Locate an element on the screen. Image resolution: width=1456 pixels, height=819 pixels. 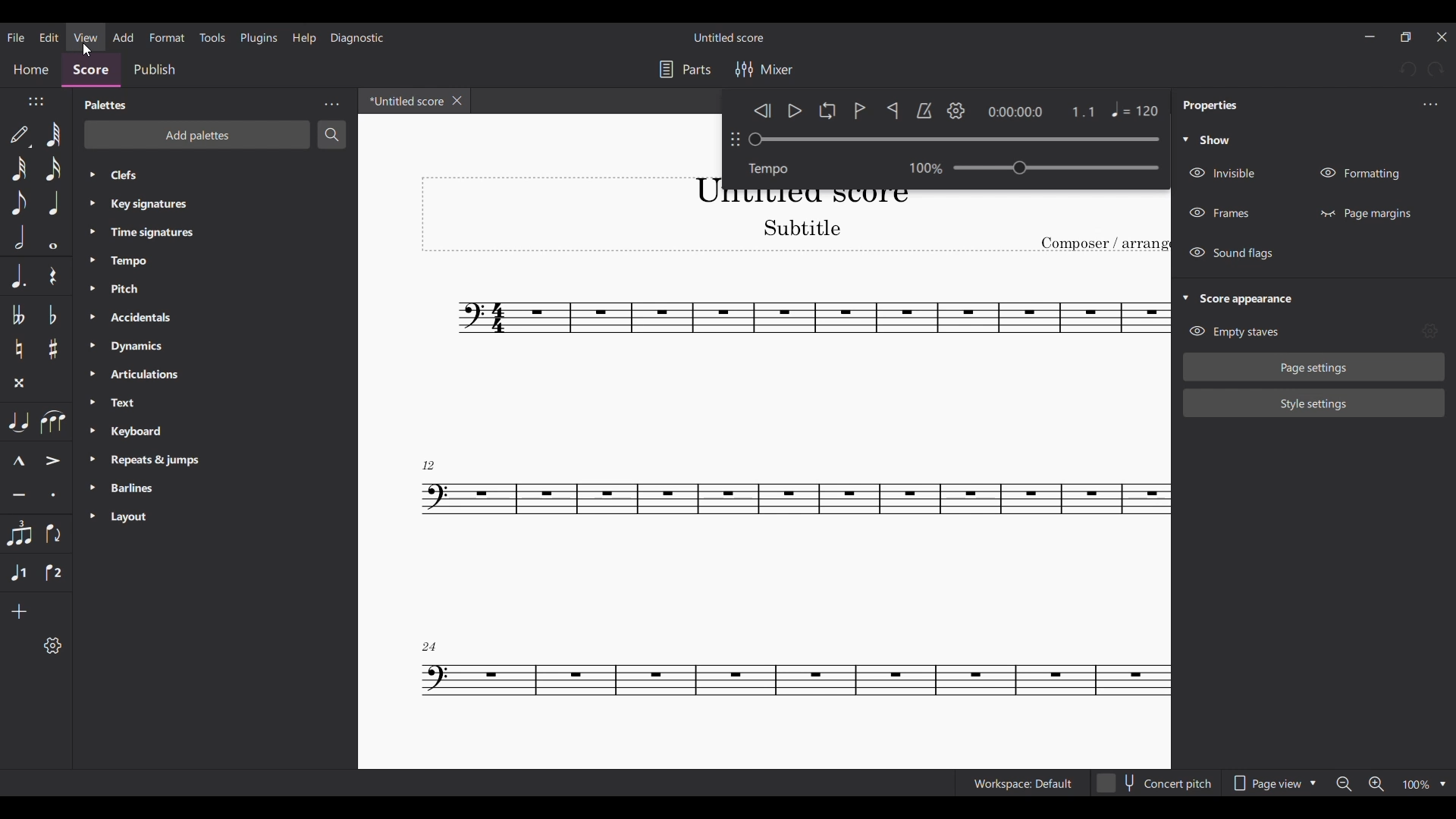
Metronome is located at coordinates (924, 111).